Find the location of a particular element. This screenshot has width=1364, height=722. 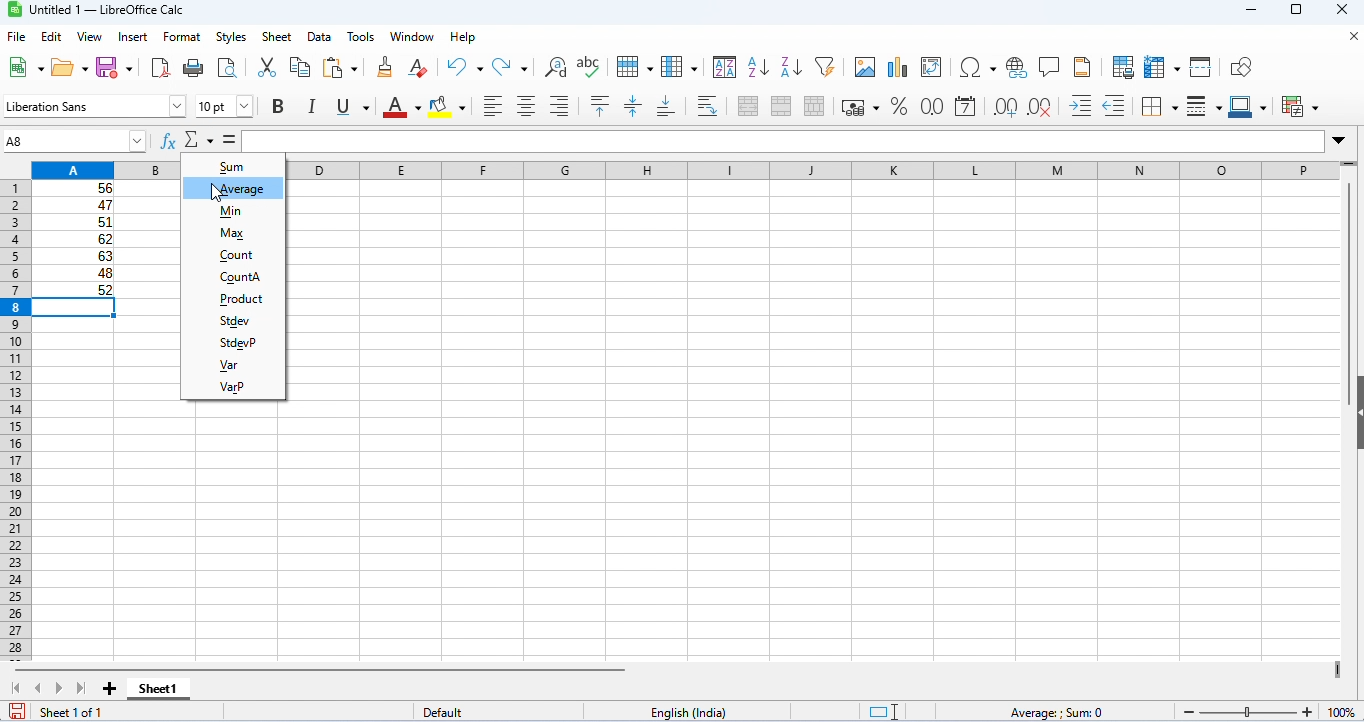

formula bar is located at coordinates (850, 141).